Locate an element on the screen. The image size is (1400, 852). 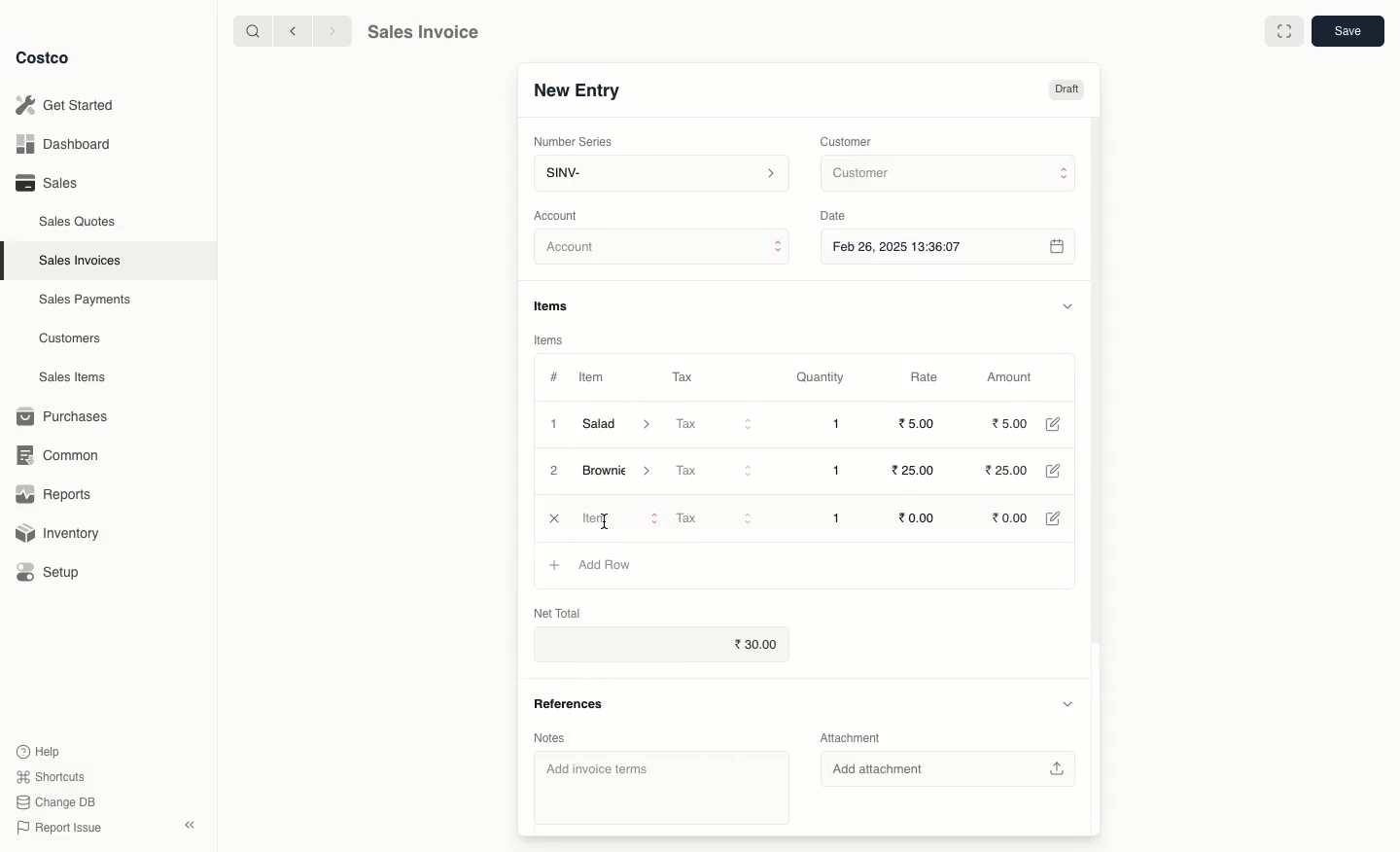
Salad is located at coordinates (617, 424).